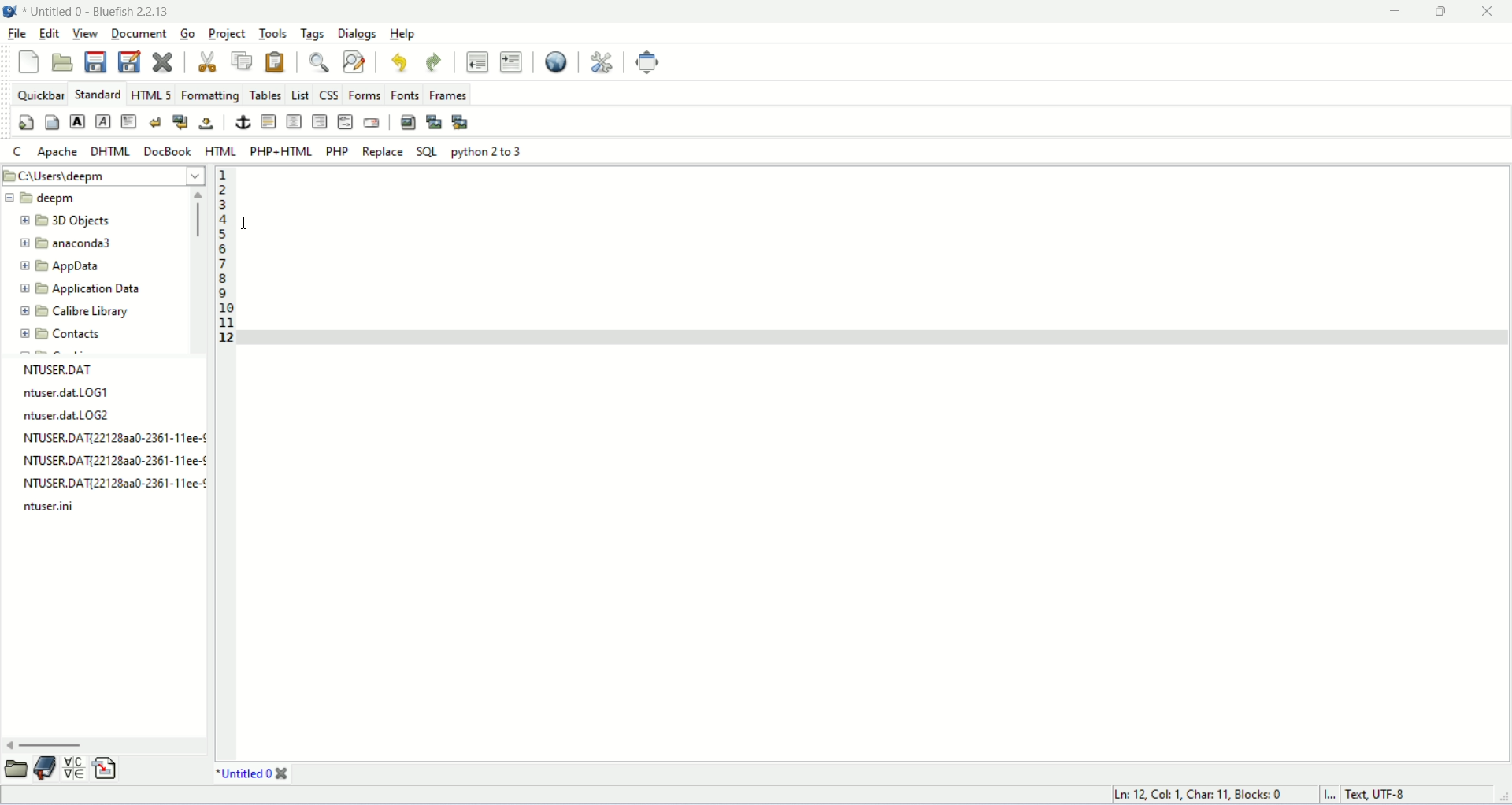  What do you see at coordinates (403, 33) in the screenshot?
I see `help` at bounding box center [403, 33].